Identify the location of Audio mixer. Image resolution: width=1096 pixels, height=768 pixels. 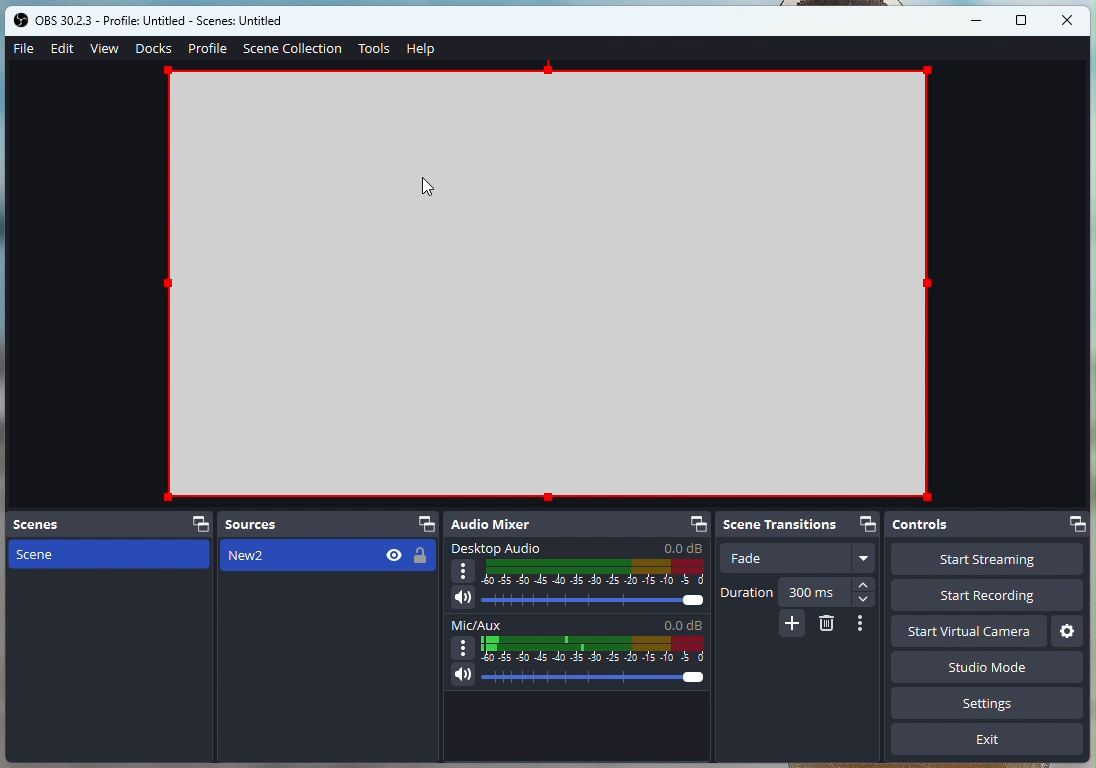
(578, 525).